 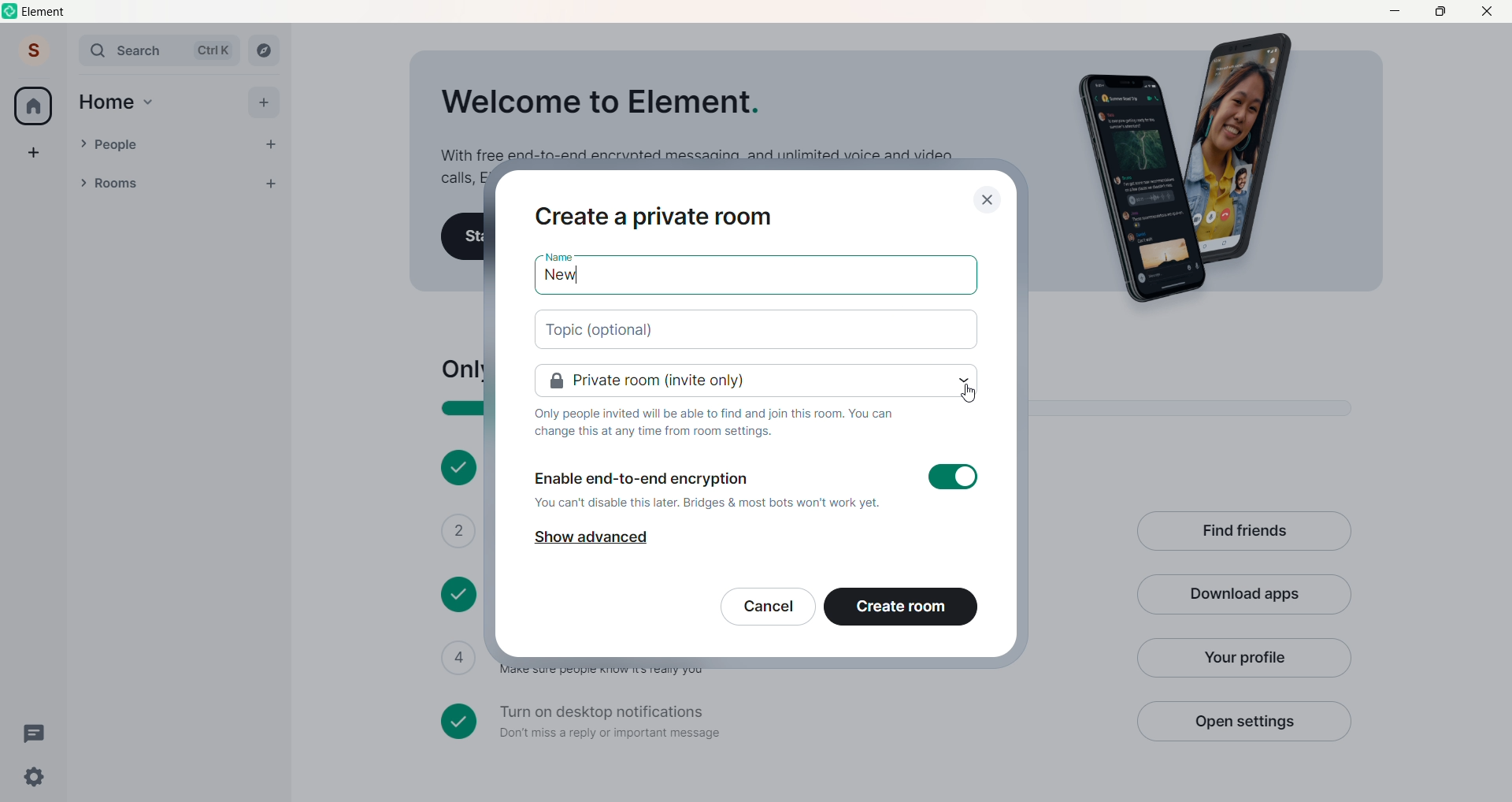 I want to click on Home, so click(x=33, y=106).